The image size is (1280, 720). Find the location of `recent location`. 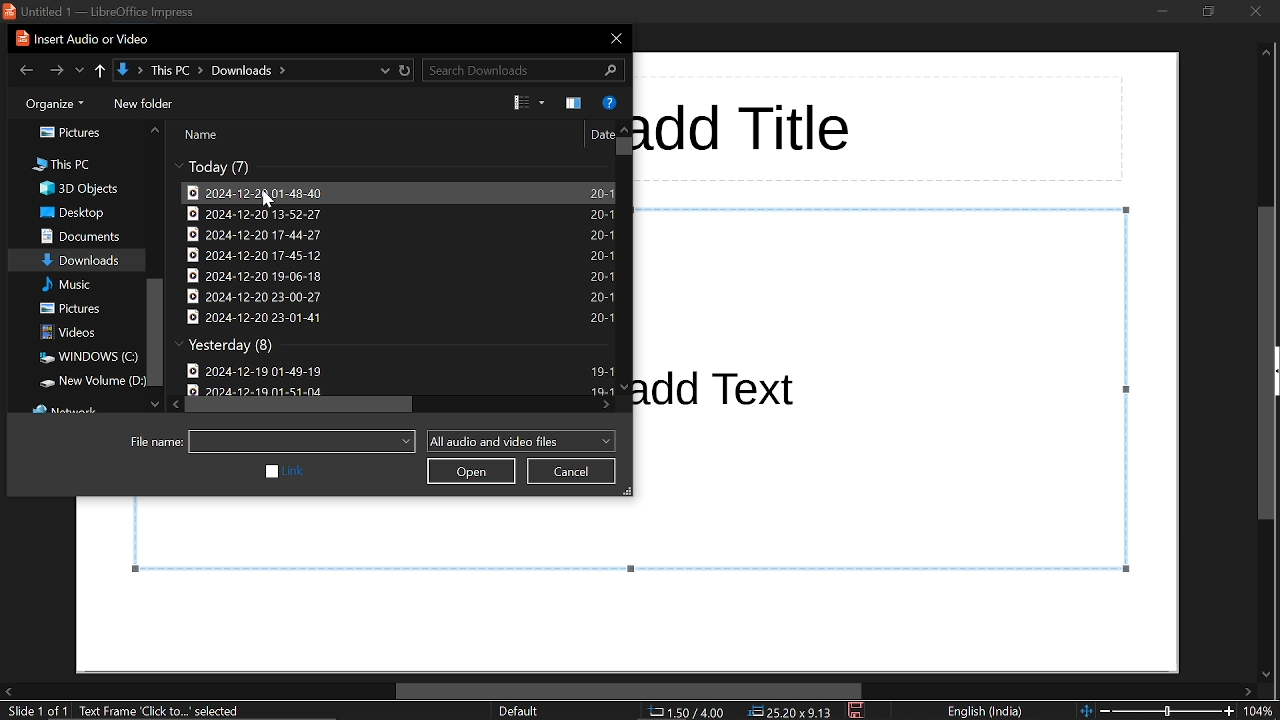

recent location is located at coordinates (80, 70).